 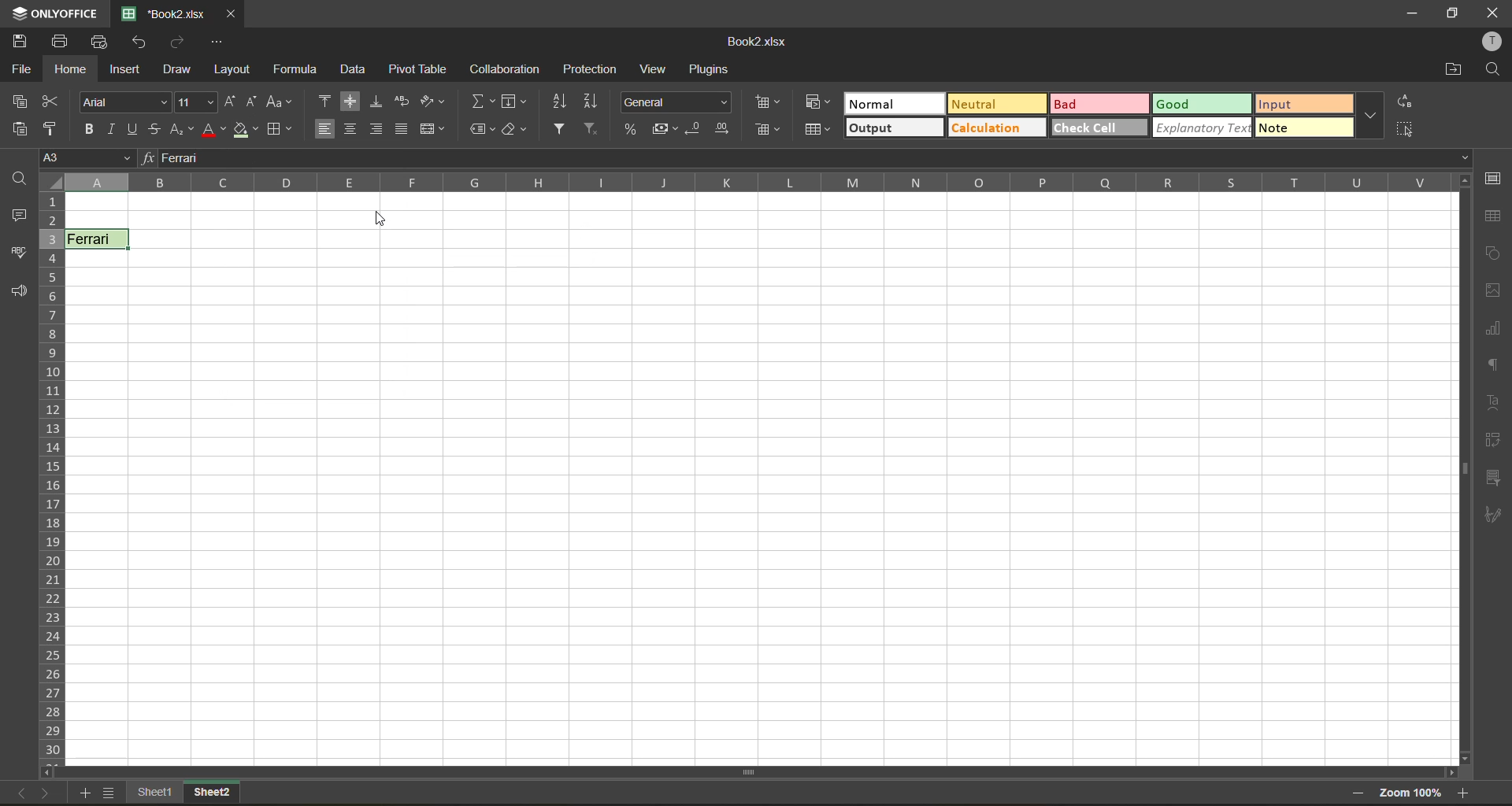 What do you see at coordinates (180, 42) in the screenshot?
I see `redo` at bounding box center [180, 42].